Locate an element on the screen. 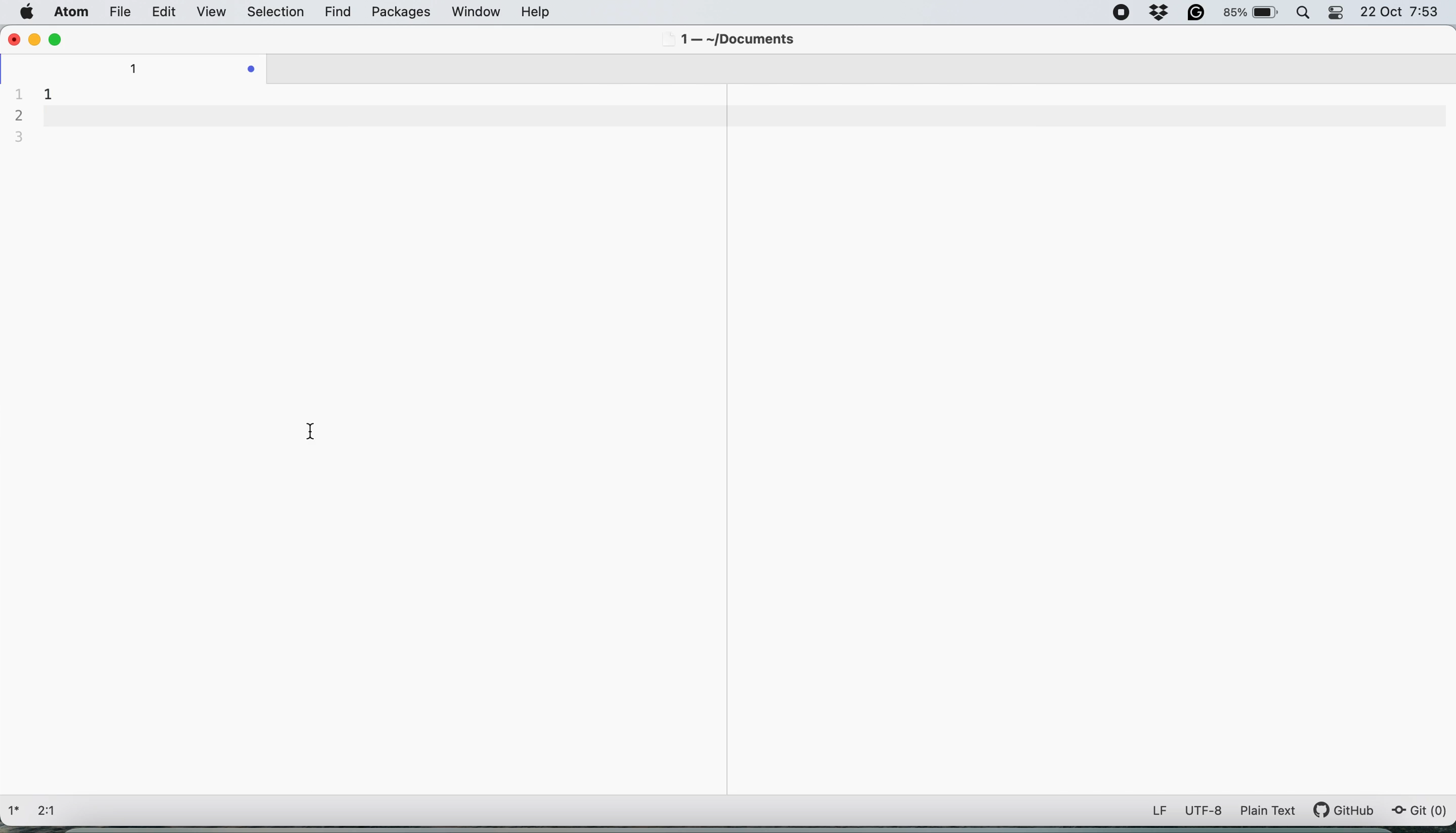 This screenshot has width=1456, height=833. 1* is located at coordinates (17, 809).